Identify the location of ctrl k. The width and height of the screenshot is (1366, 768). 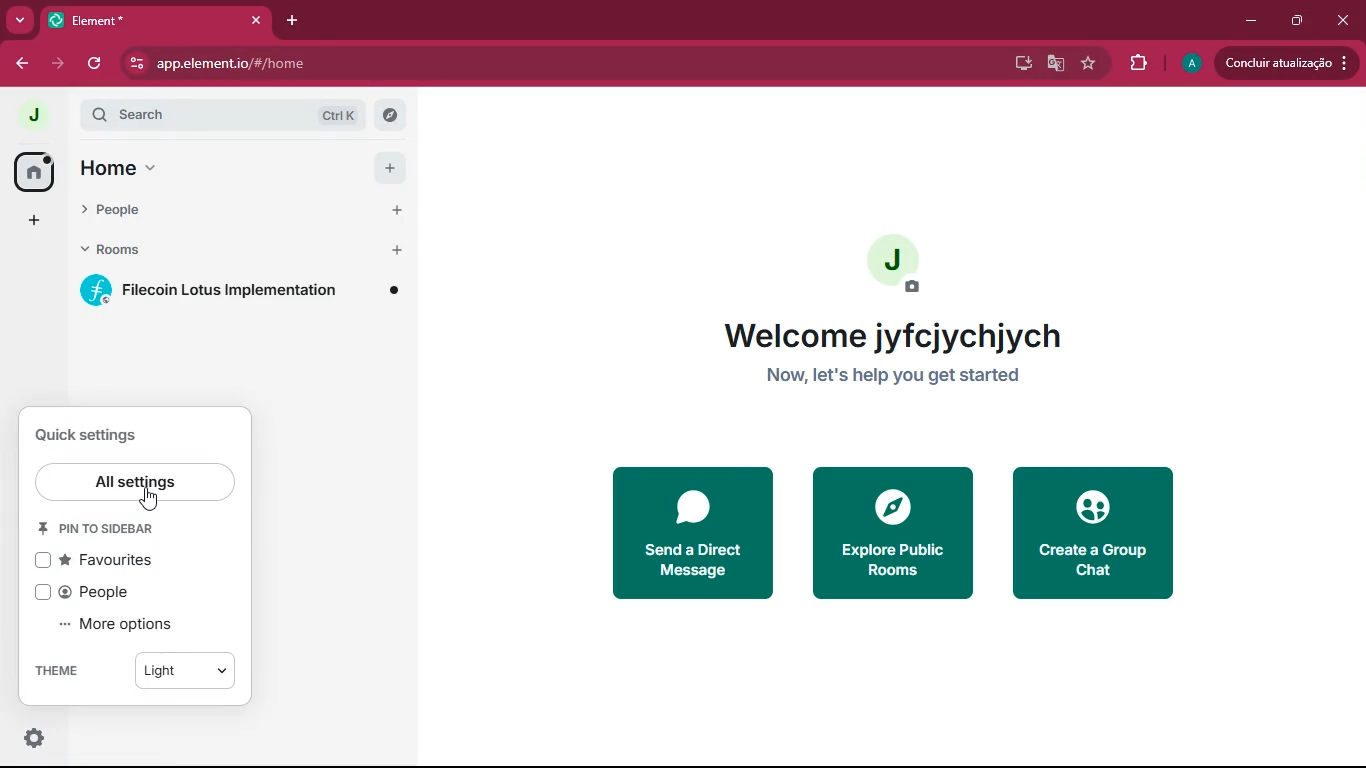
(342, 115).